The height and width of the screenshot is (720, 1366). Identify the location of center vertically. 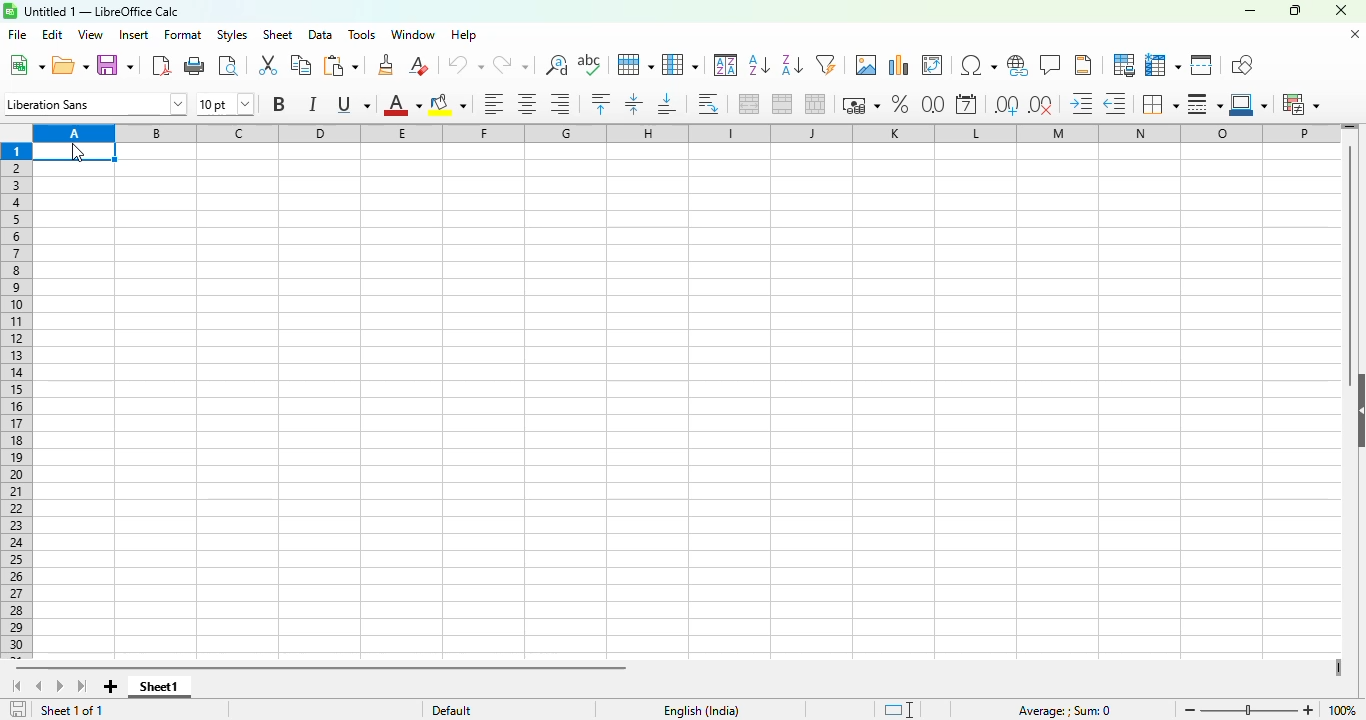
(633, 104).